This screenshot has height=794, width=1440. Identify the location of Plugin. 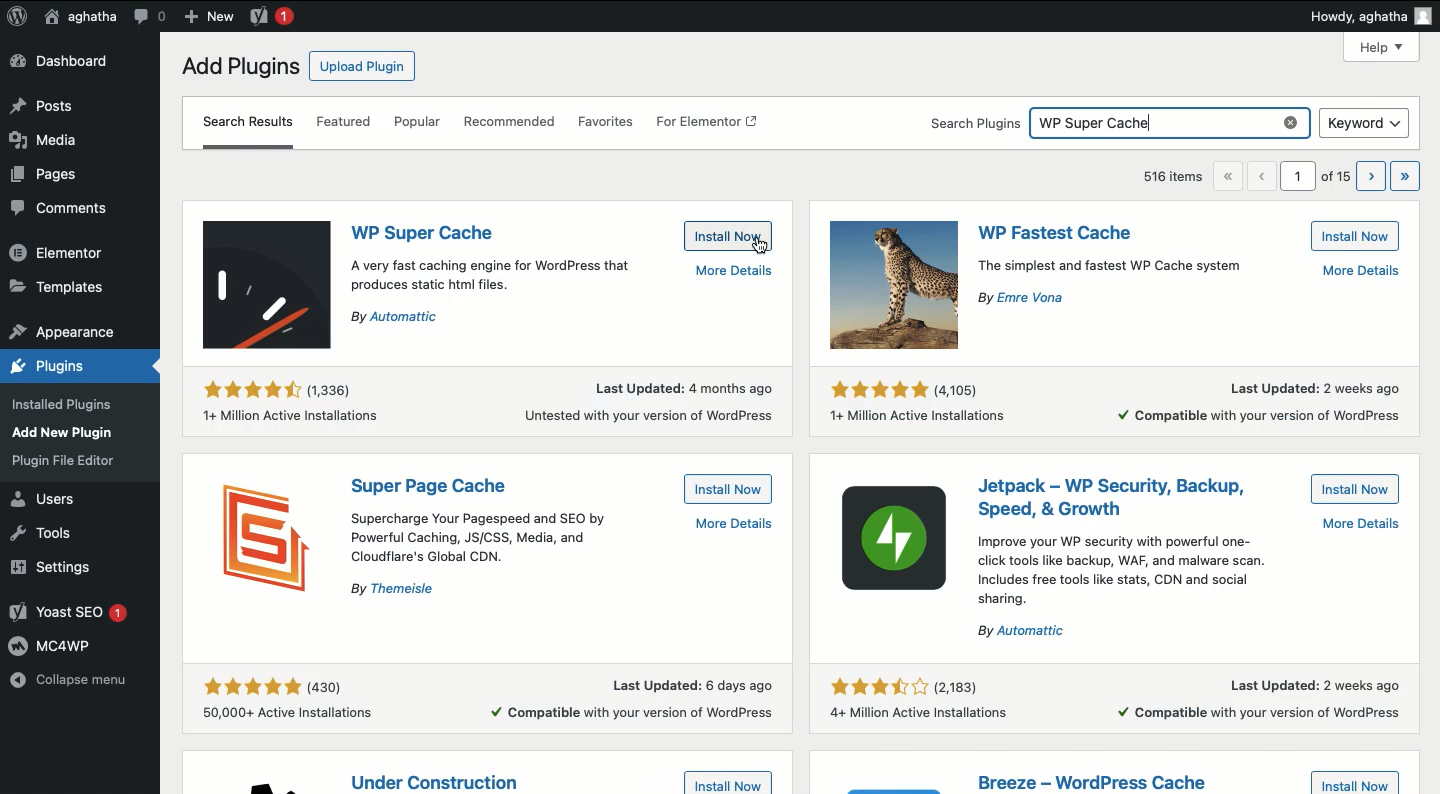
(1052, 233).